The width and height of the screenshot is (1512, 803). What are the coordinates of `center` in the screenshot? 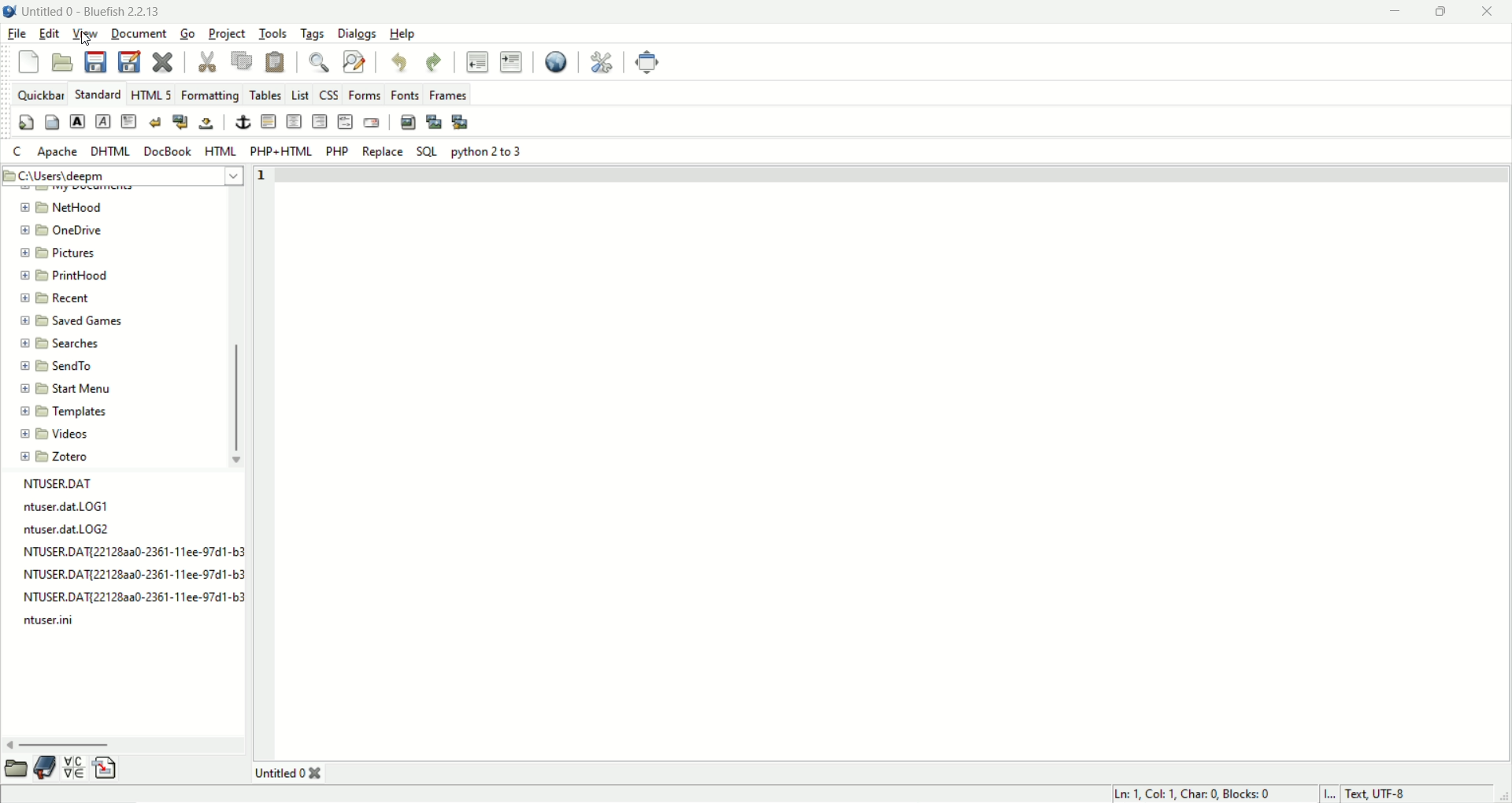 It's located at (292, 120).